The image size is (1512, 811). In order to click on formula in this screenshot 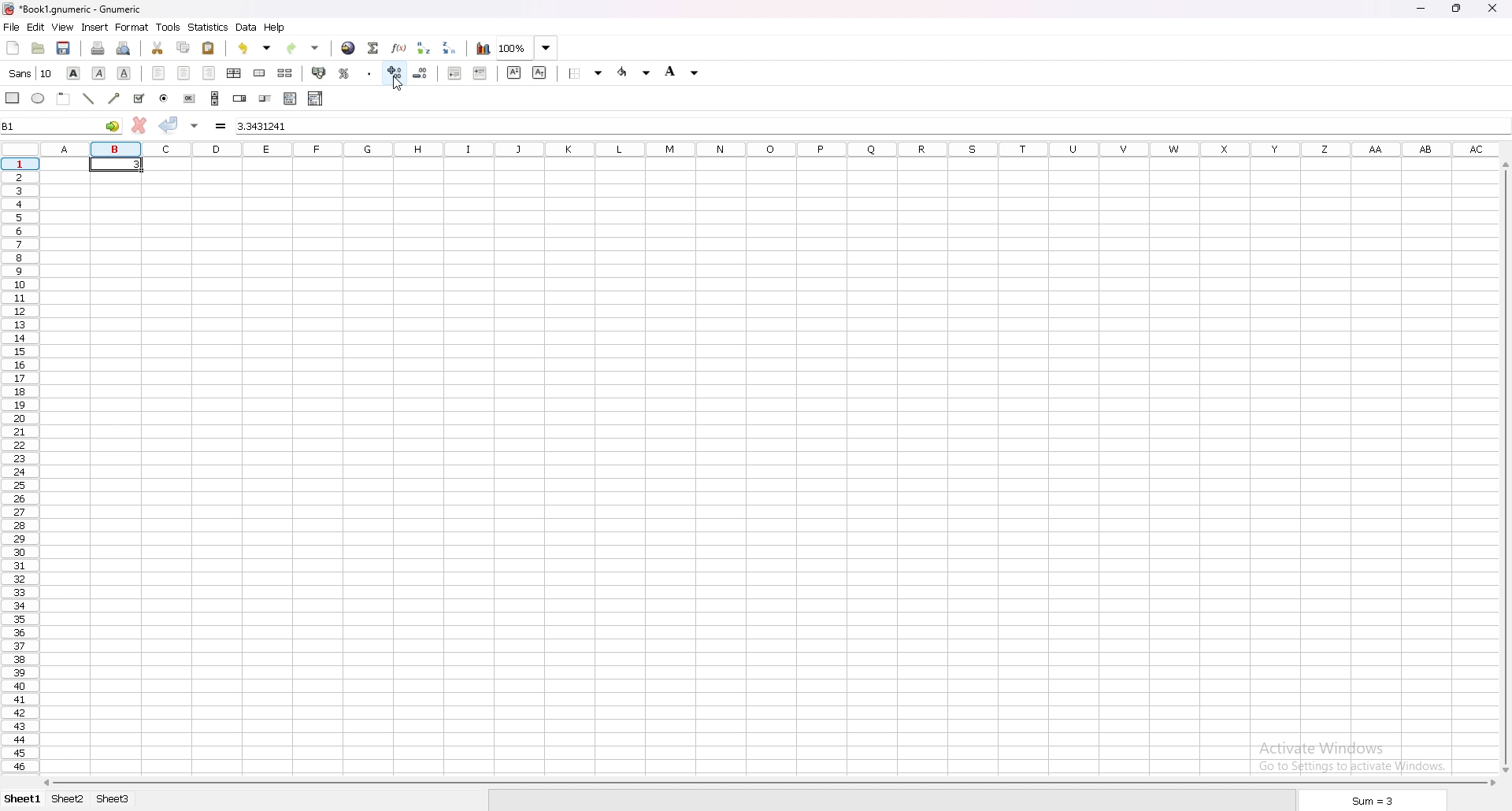, I will do `click(221, 125)`.